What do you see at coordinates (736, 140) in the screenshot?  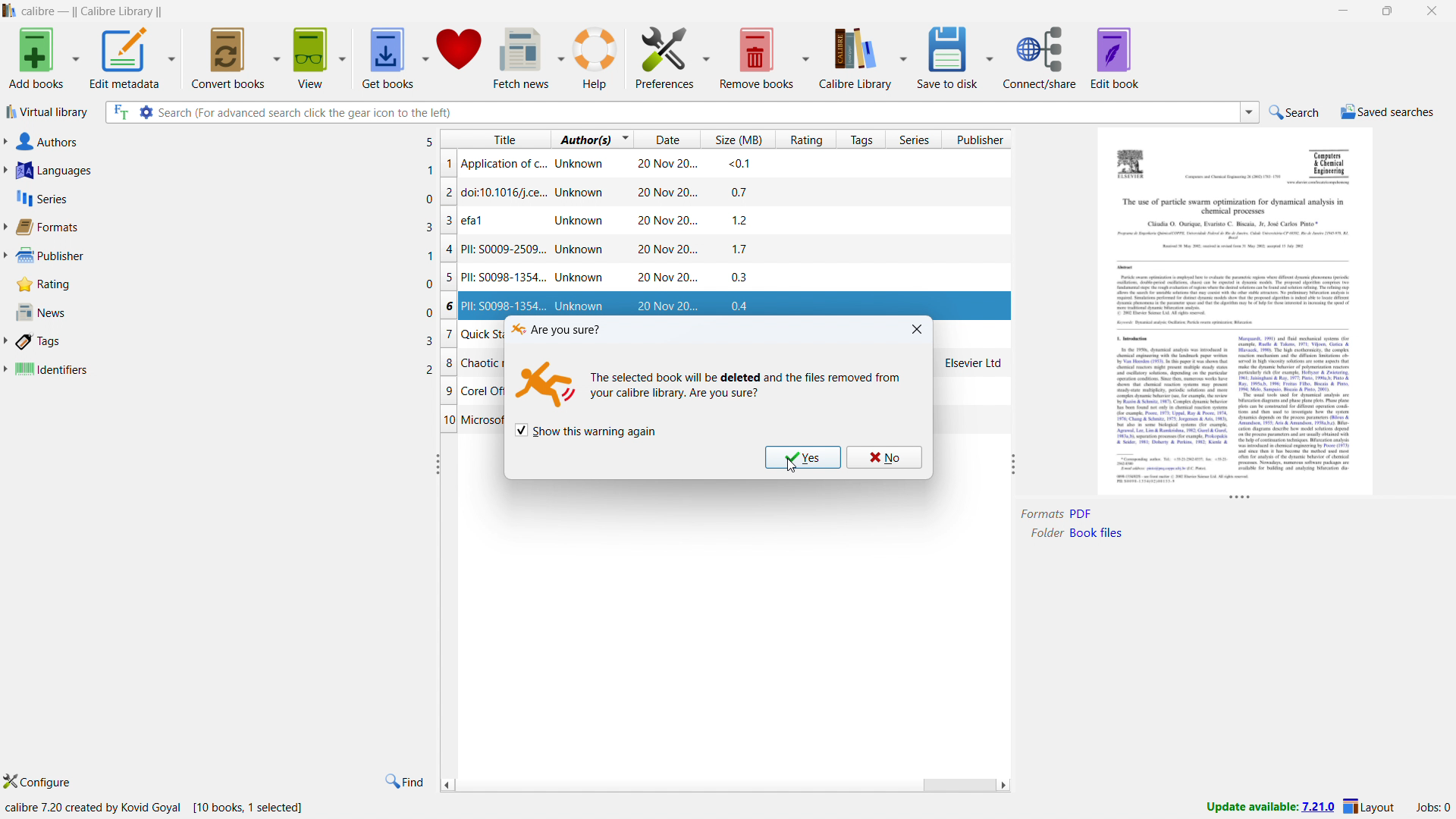 I see `sort by size` at bounding box center [736, 140].